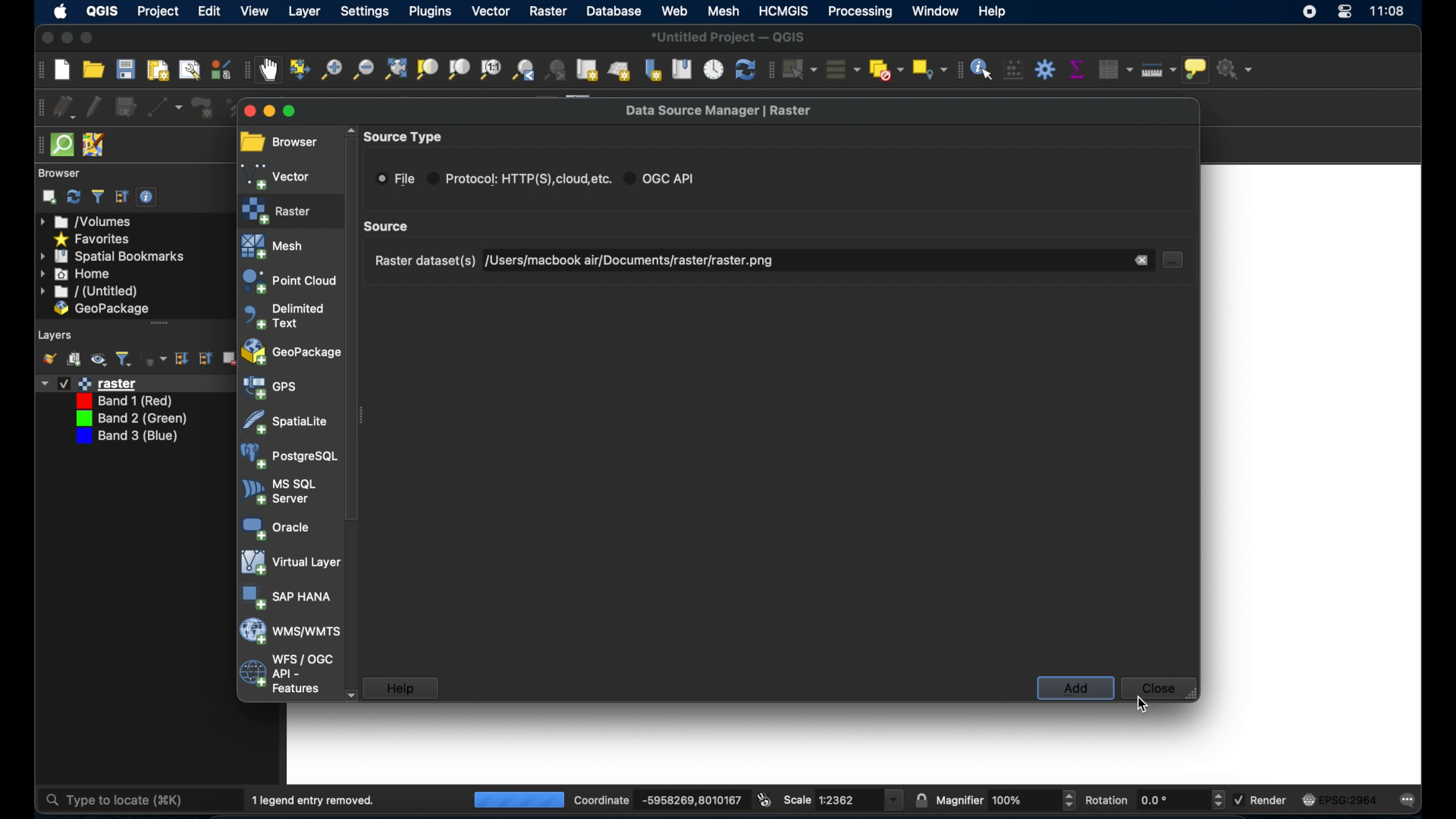 The height and width of the screenshot is (819, 1456). What do you see at coordinates (616, 12) in the screenshot?
I see `database` at bounding box center [616, 12].